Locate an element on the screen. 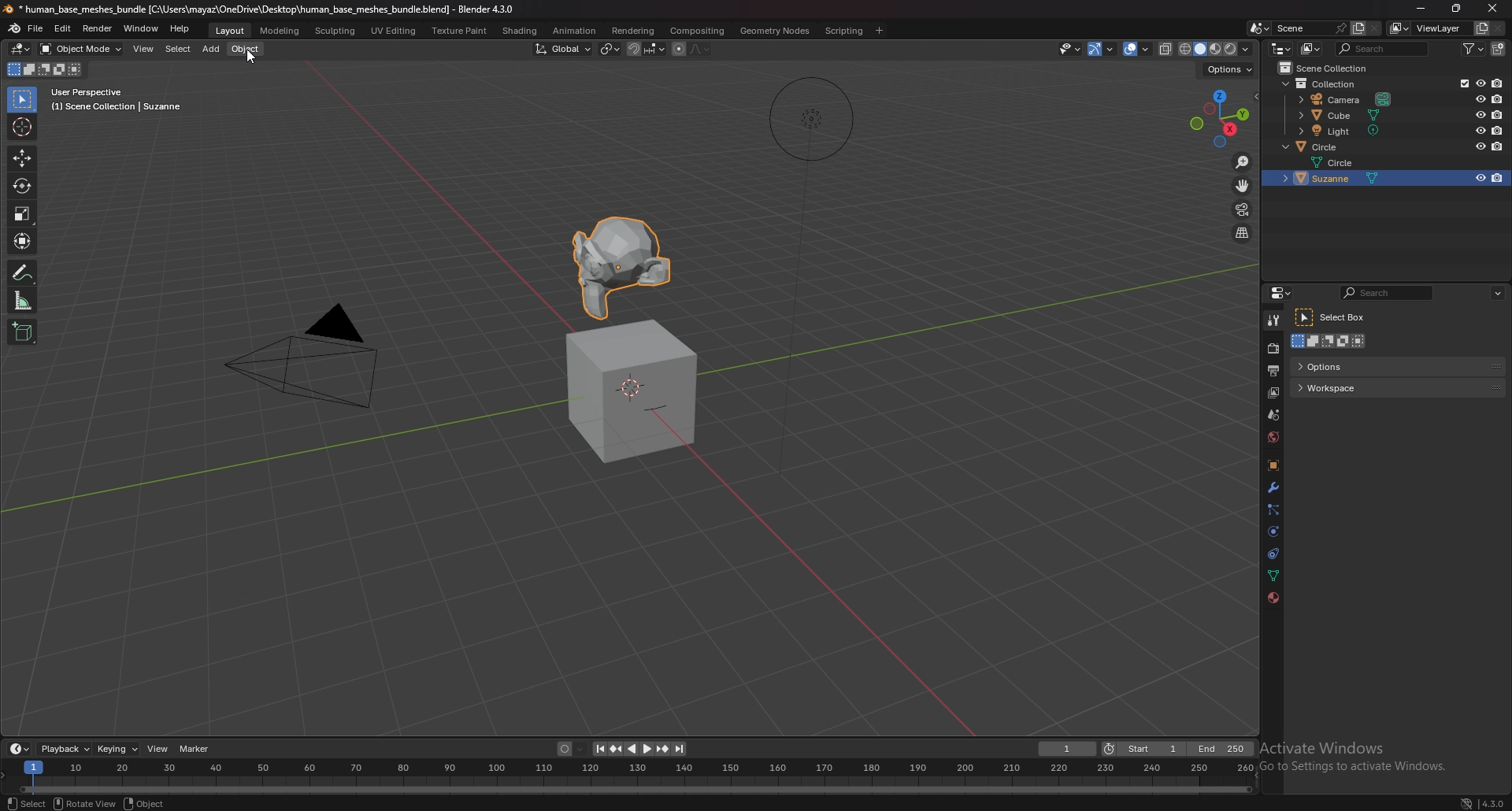 Image resolution: width=1512 pixels, height=811 pixels. scripting is located at coordinates (845, 31).